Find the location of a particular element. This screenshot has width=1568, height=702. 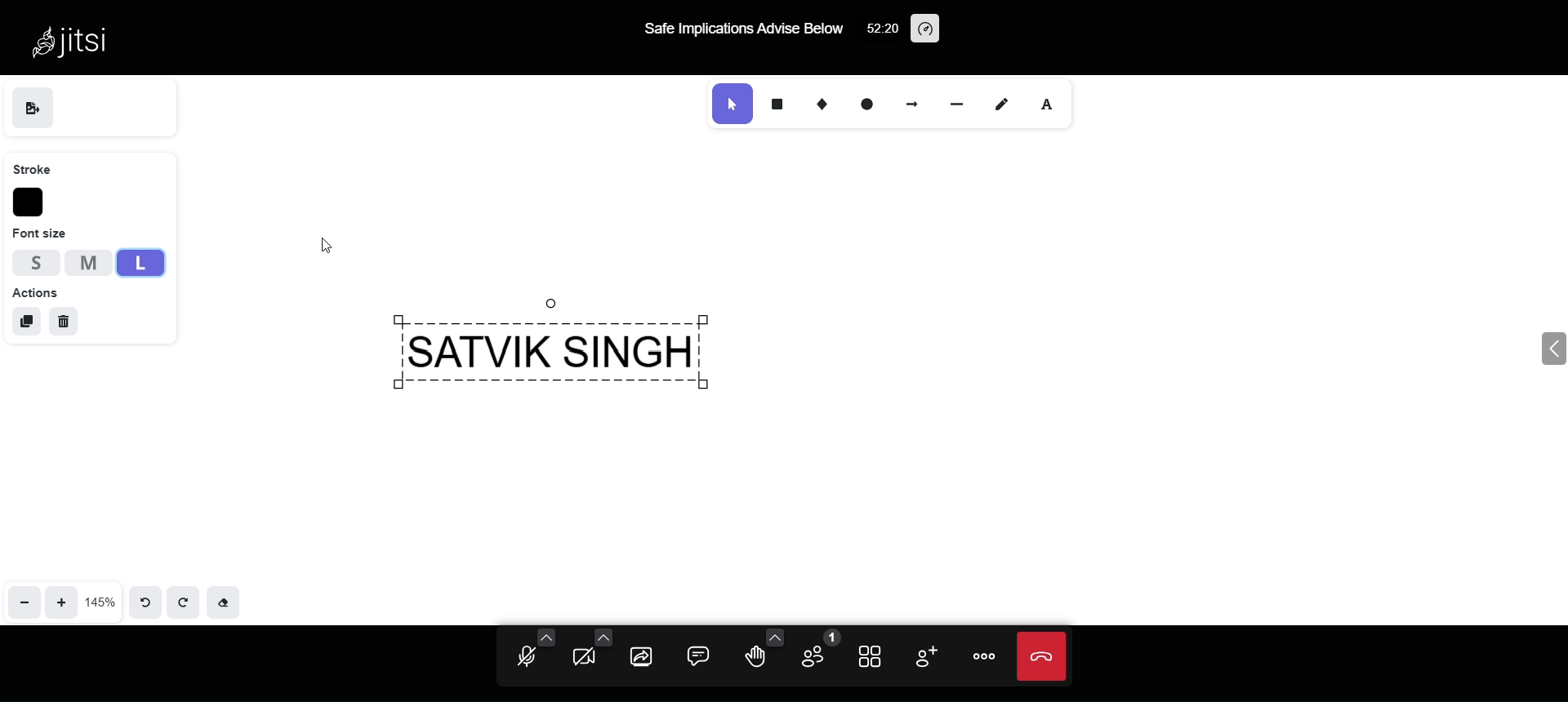

more actions is located at coordinates (979, 657).